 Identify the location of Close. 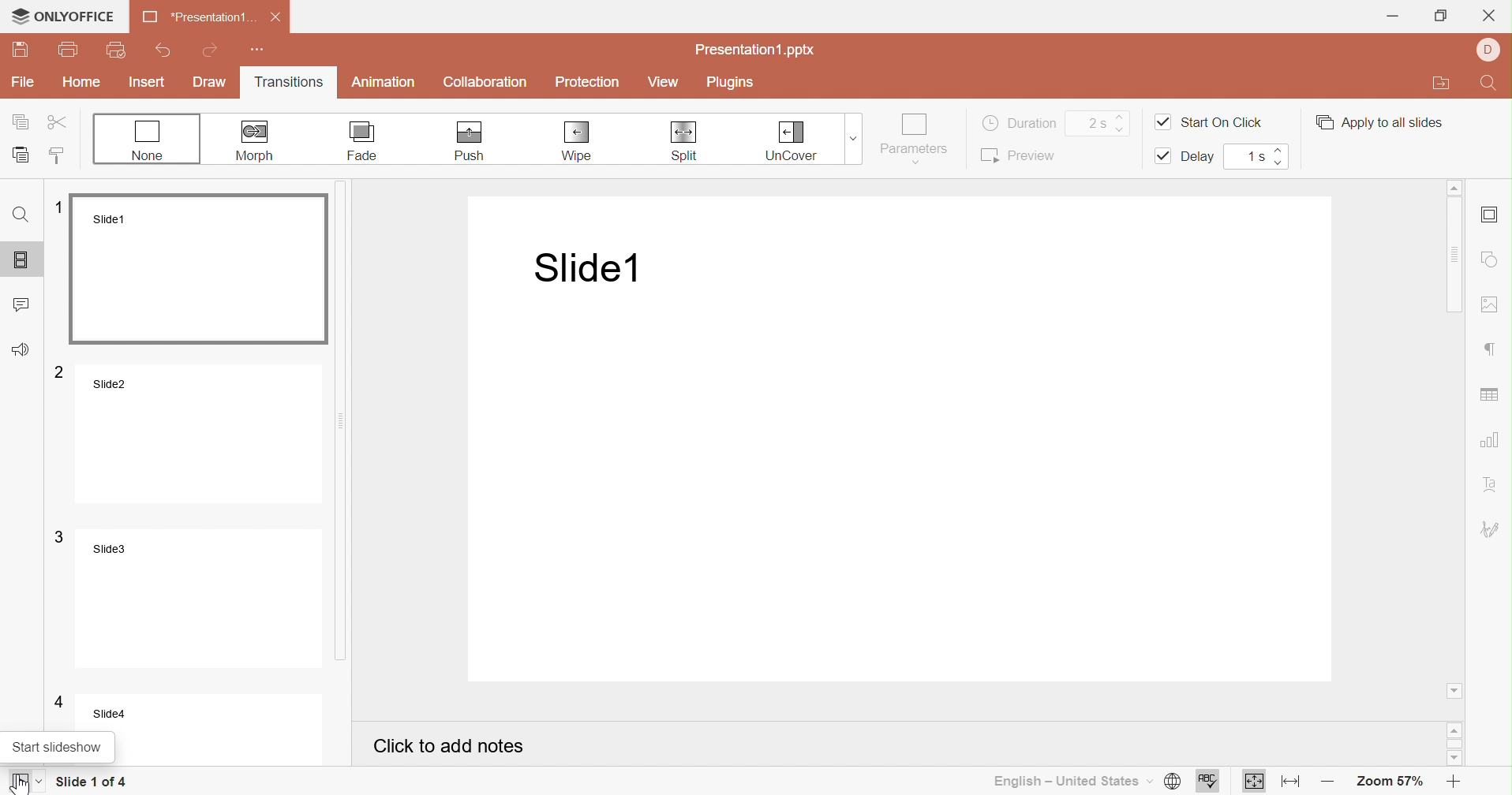
(276, 17).